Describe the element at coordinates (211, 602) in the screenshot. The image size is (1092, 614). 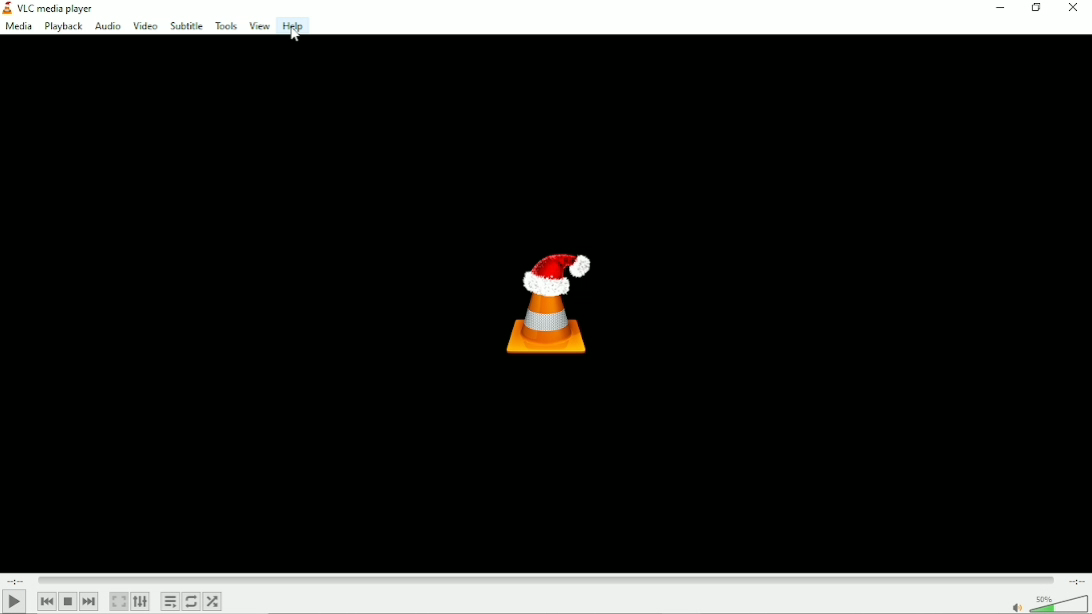
I see `Random` at that location.